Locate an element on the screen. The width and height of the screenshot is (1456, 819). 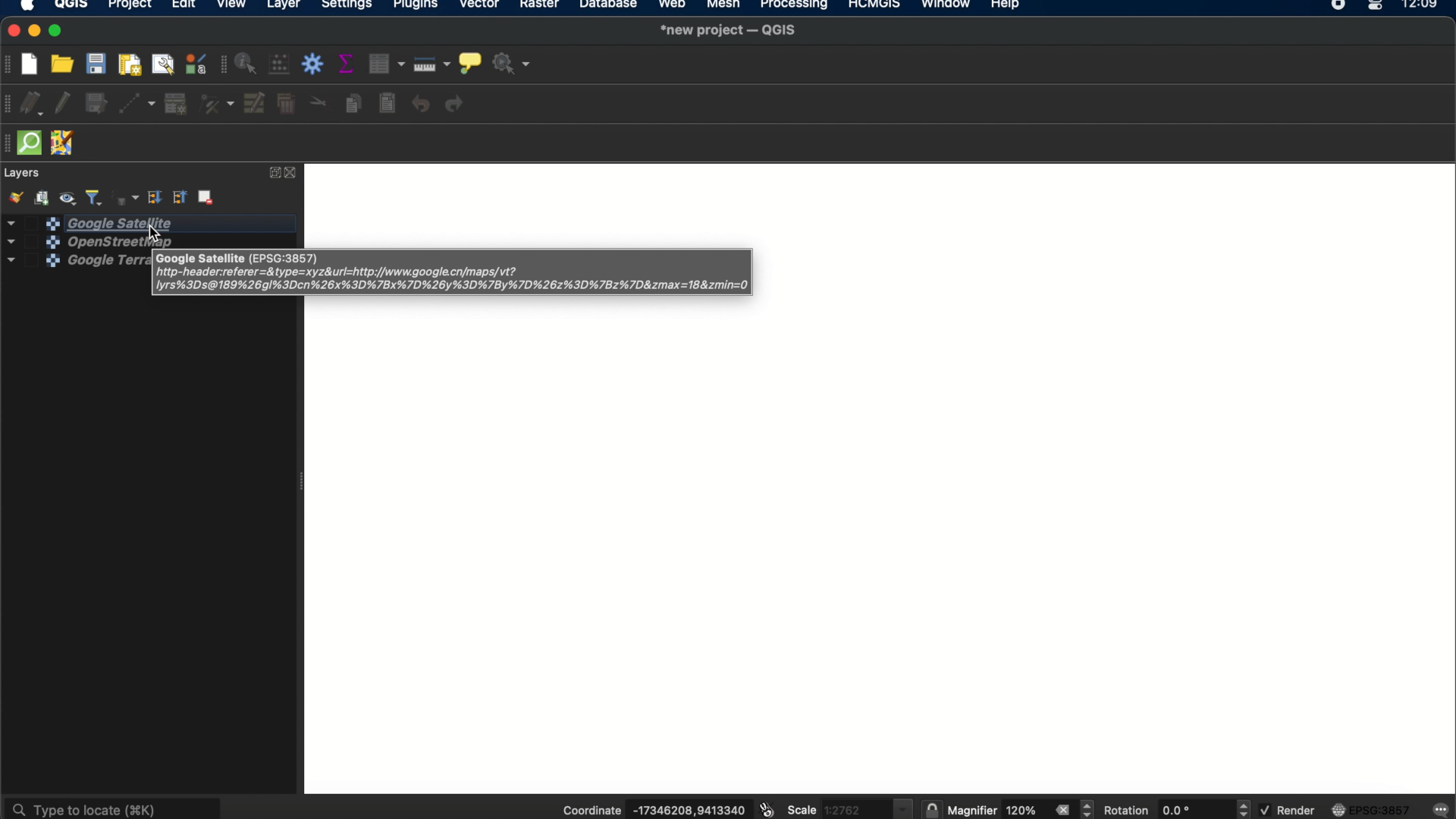
modify is located at coordinates (256, 103).